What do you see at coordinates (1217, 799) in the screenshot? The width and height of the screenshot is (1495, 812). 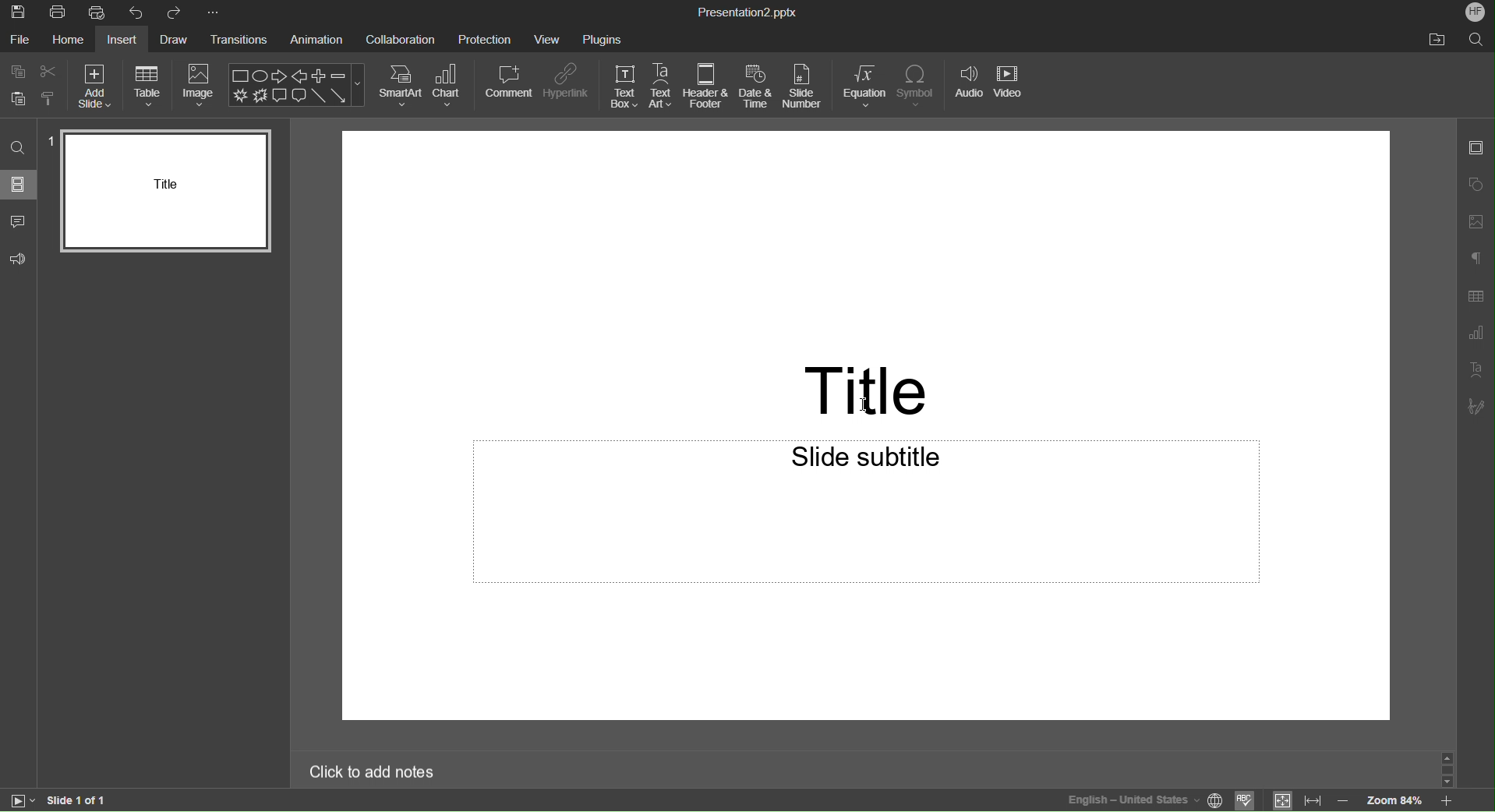 I see `set document language` at bounding box center [1217, 799].